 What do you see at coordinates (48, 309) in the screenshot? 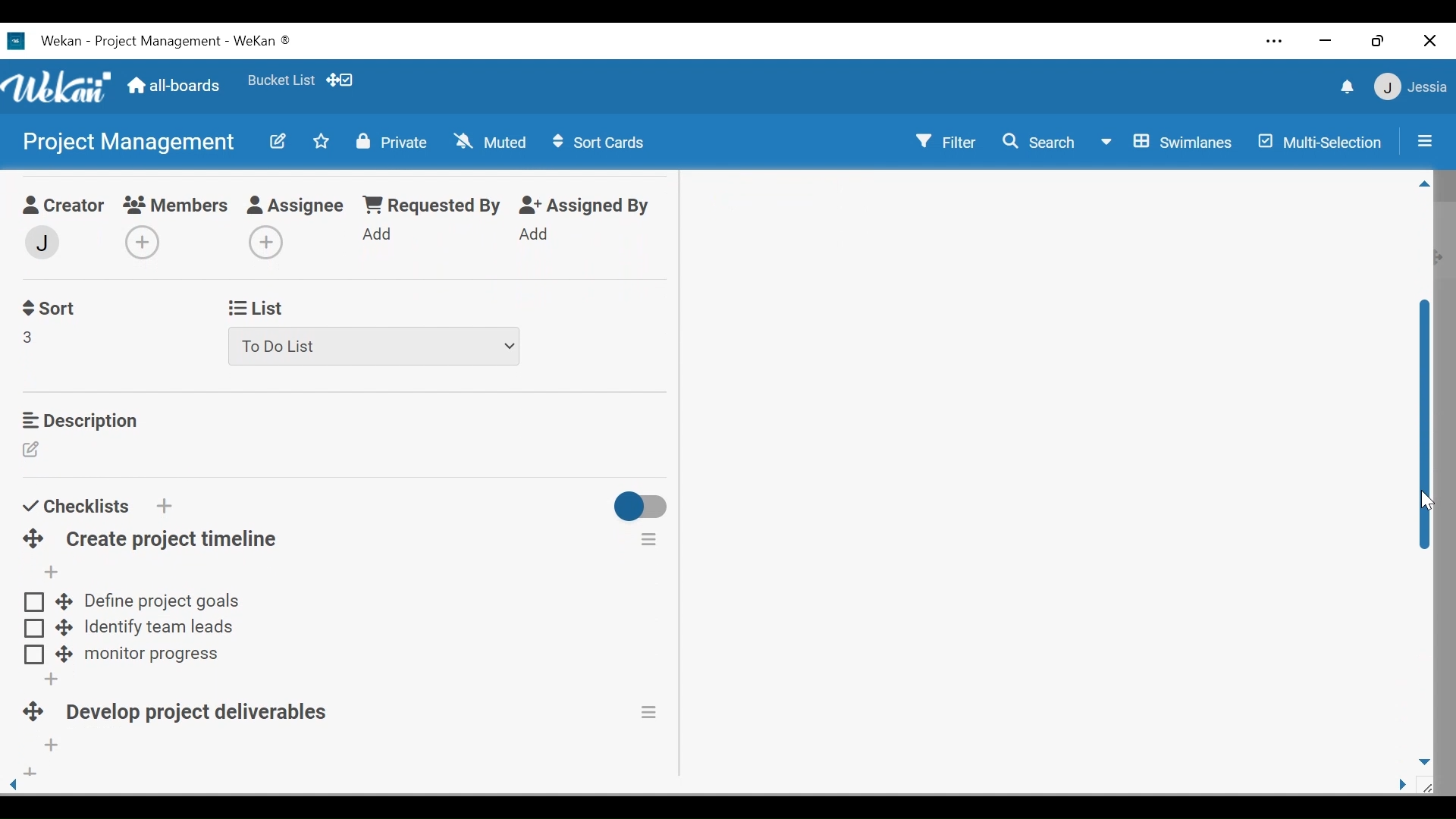
I see `Sort` at bounding box center [48, 309].